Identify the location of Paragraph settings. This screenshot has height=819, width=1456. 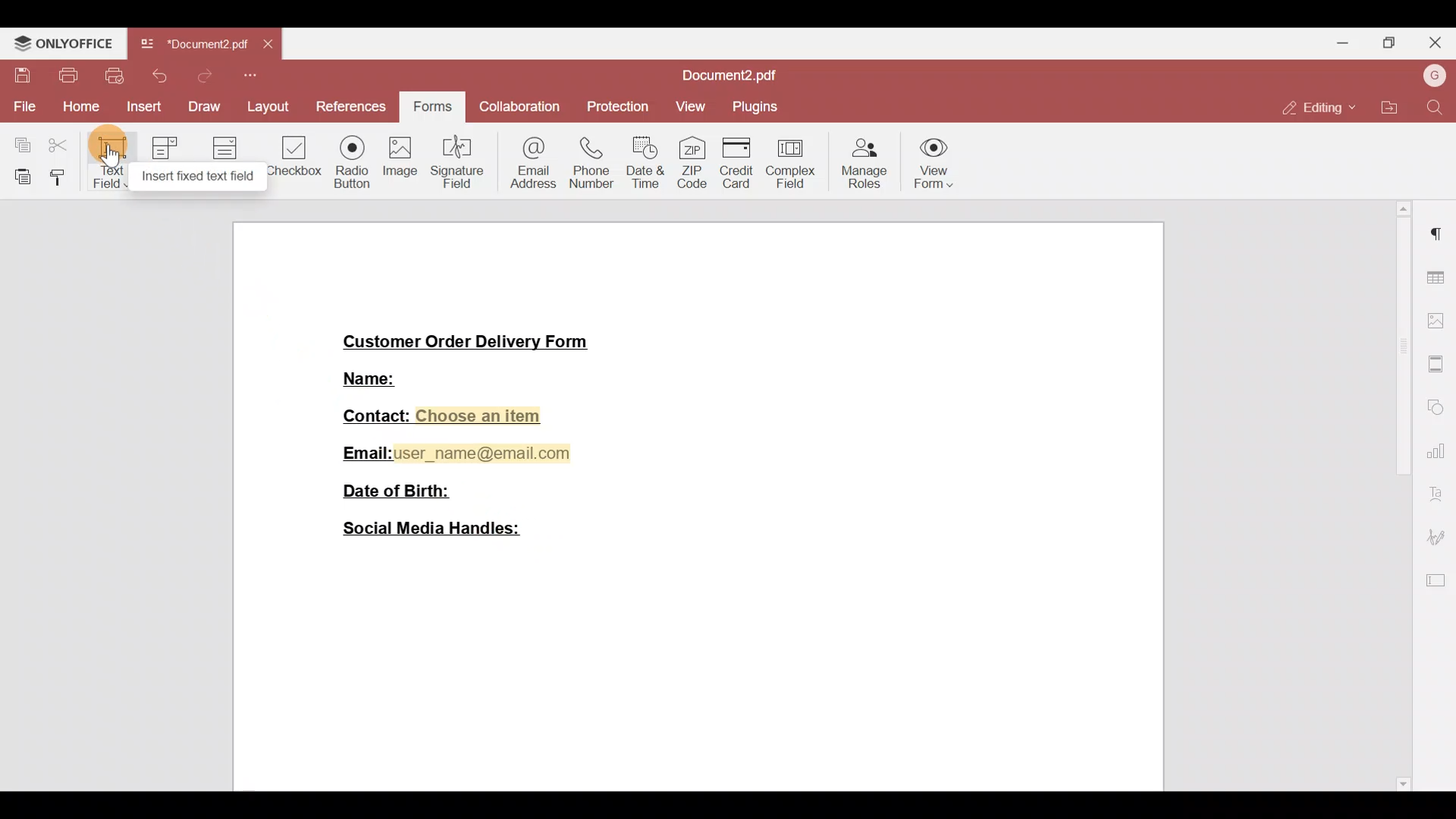
(1439, 236).